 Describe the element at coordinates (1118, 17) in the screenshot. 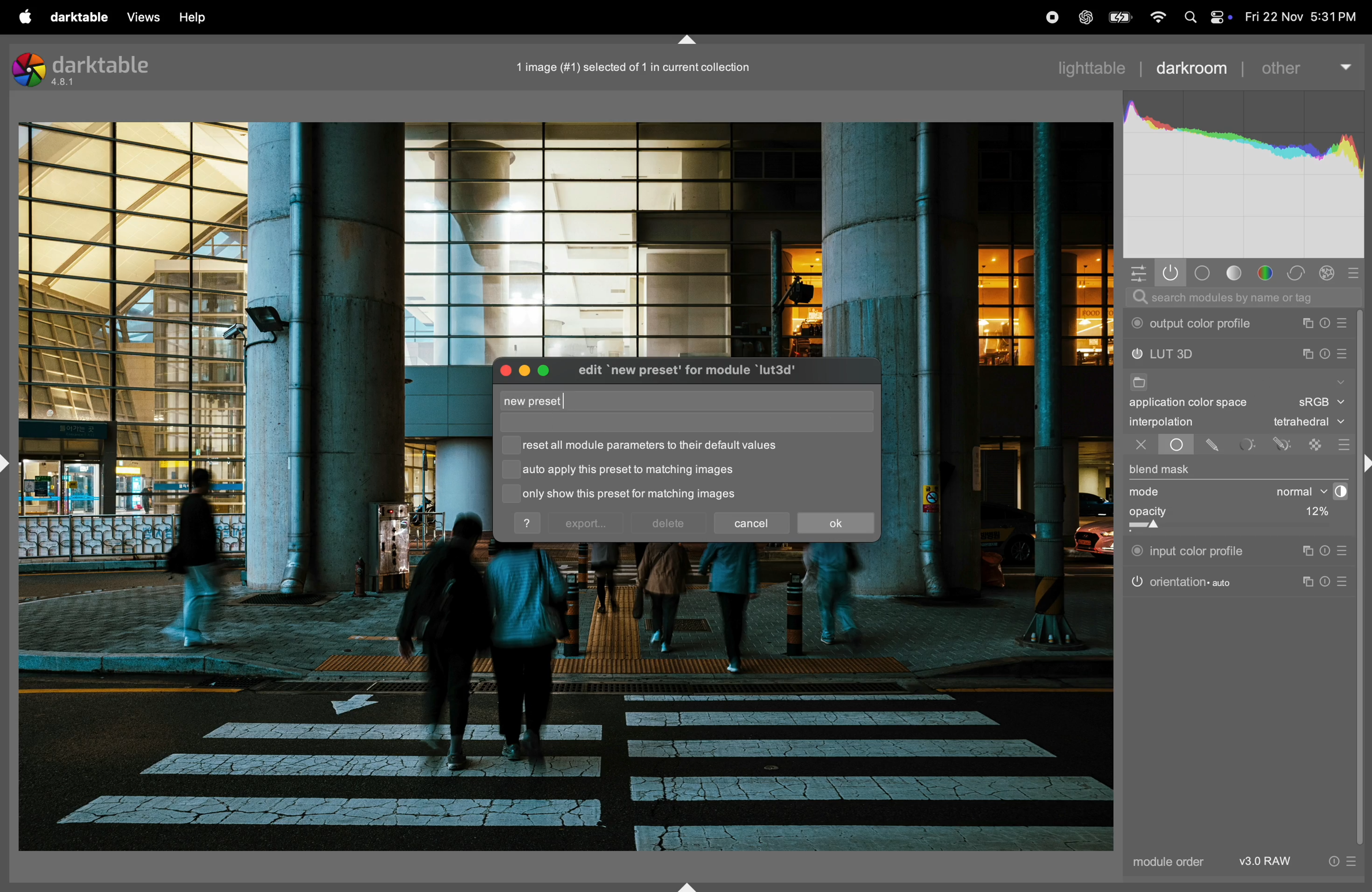

I see `battery` at that location.